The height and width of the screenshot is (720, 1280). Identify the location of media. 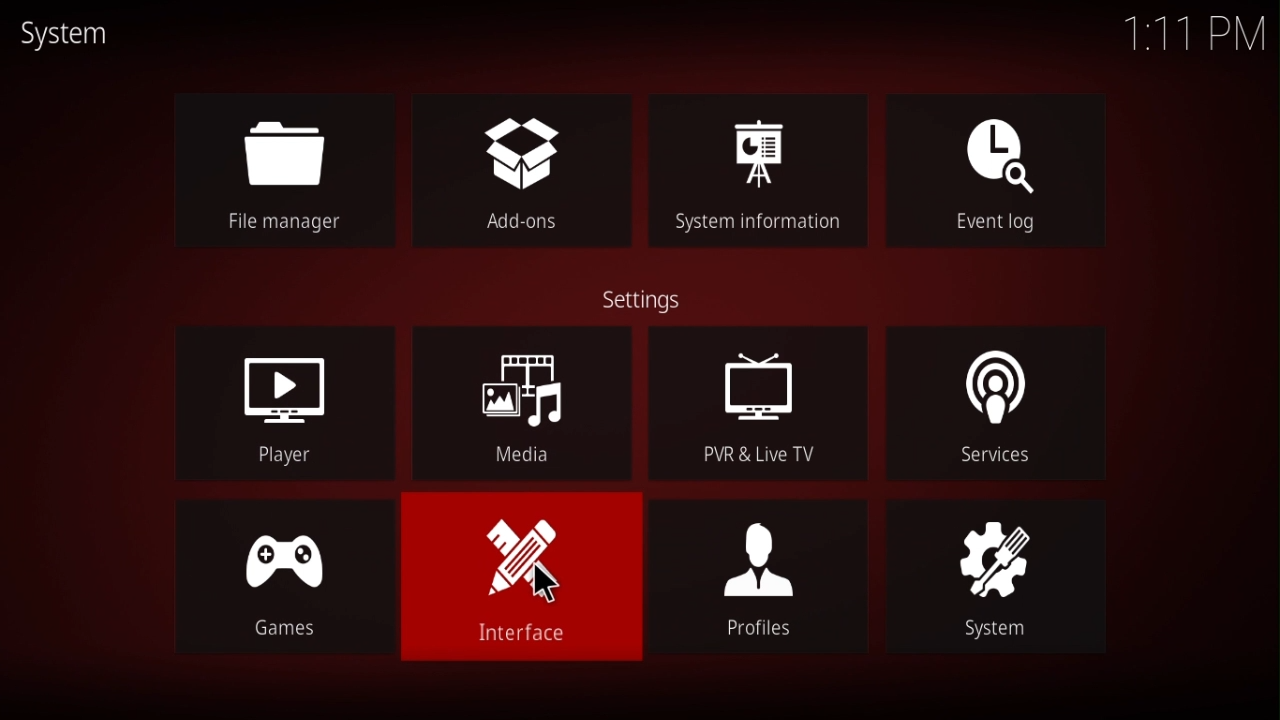
(523, 404).